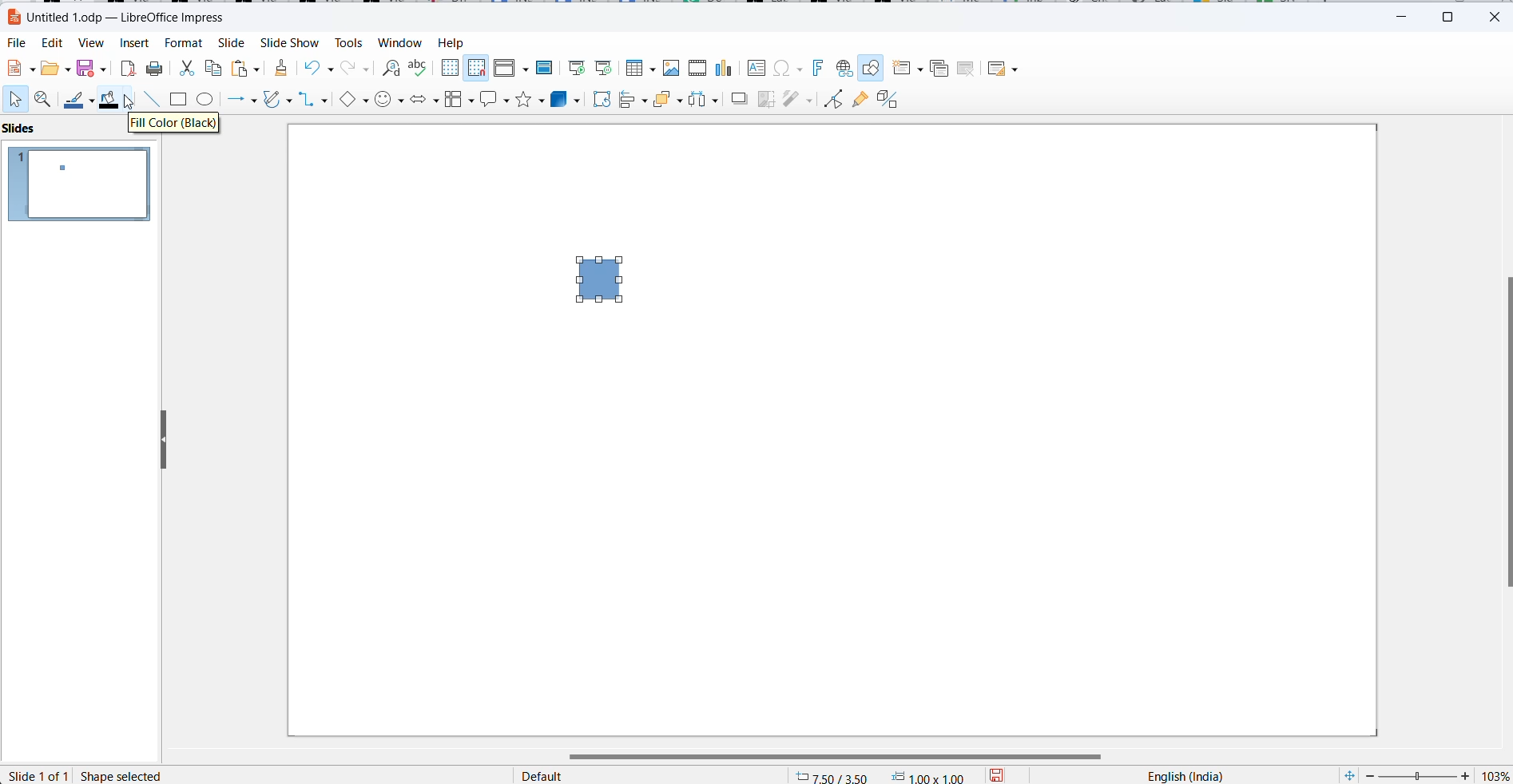  Describe the element at coordinates (19, 69) in the screenshot. I see `new file` at that location.